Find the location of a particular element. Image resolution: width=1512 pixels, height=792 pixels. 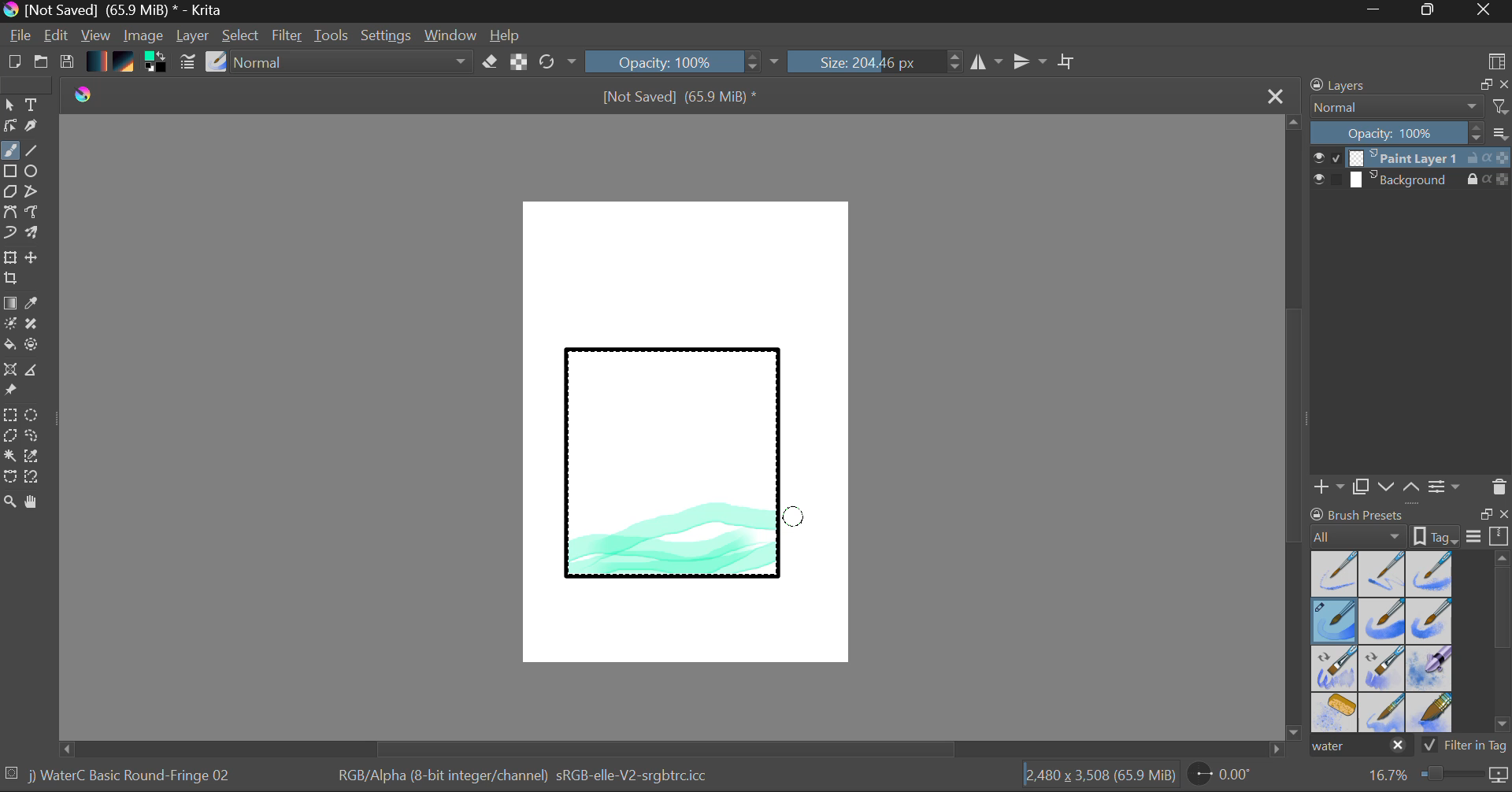

Minimize is located at coordinates (1431, 11).